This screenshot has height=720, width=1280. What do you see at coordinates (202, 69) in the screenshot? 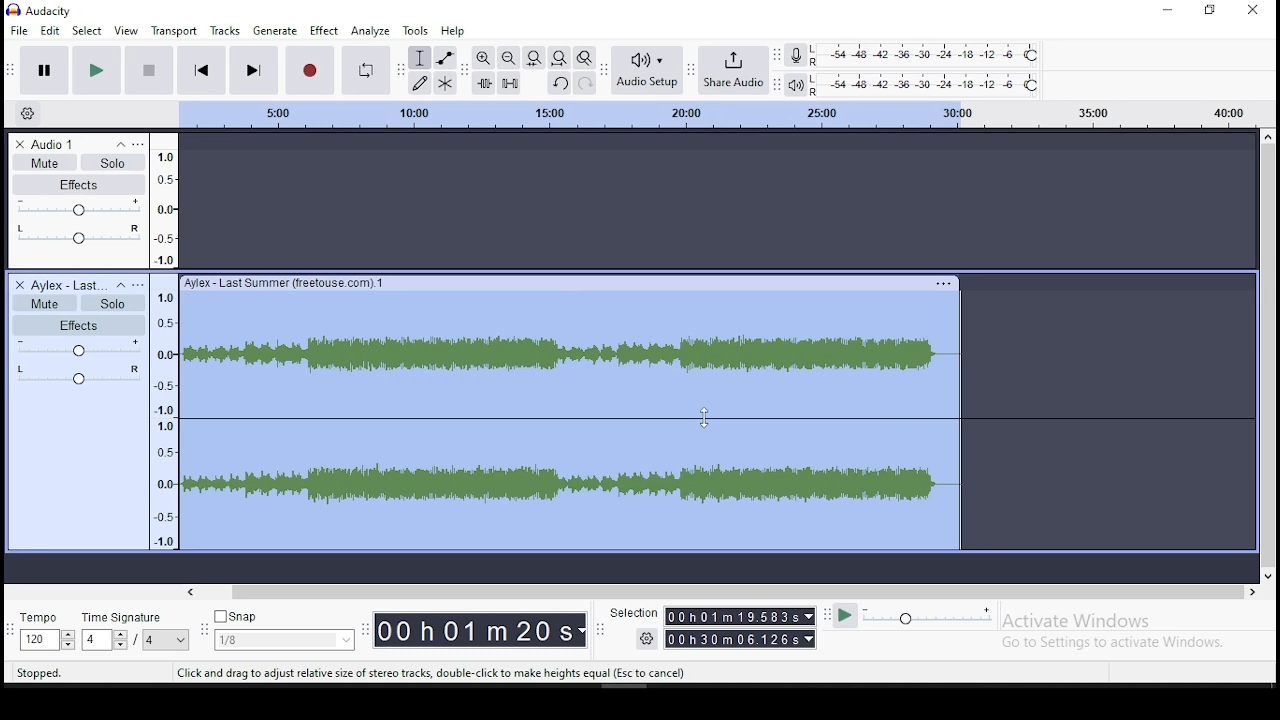
I see `skip to start` at bounding box center [202, 69].